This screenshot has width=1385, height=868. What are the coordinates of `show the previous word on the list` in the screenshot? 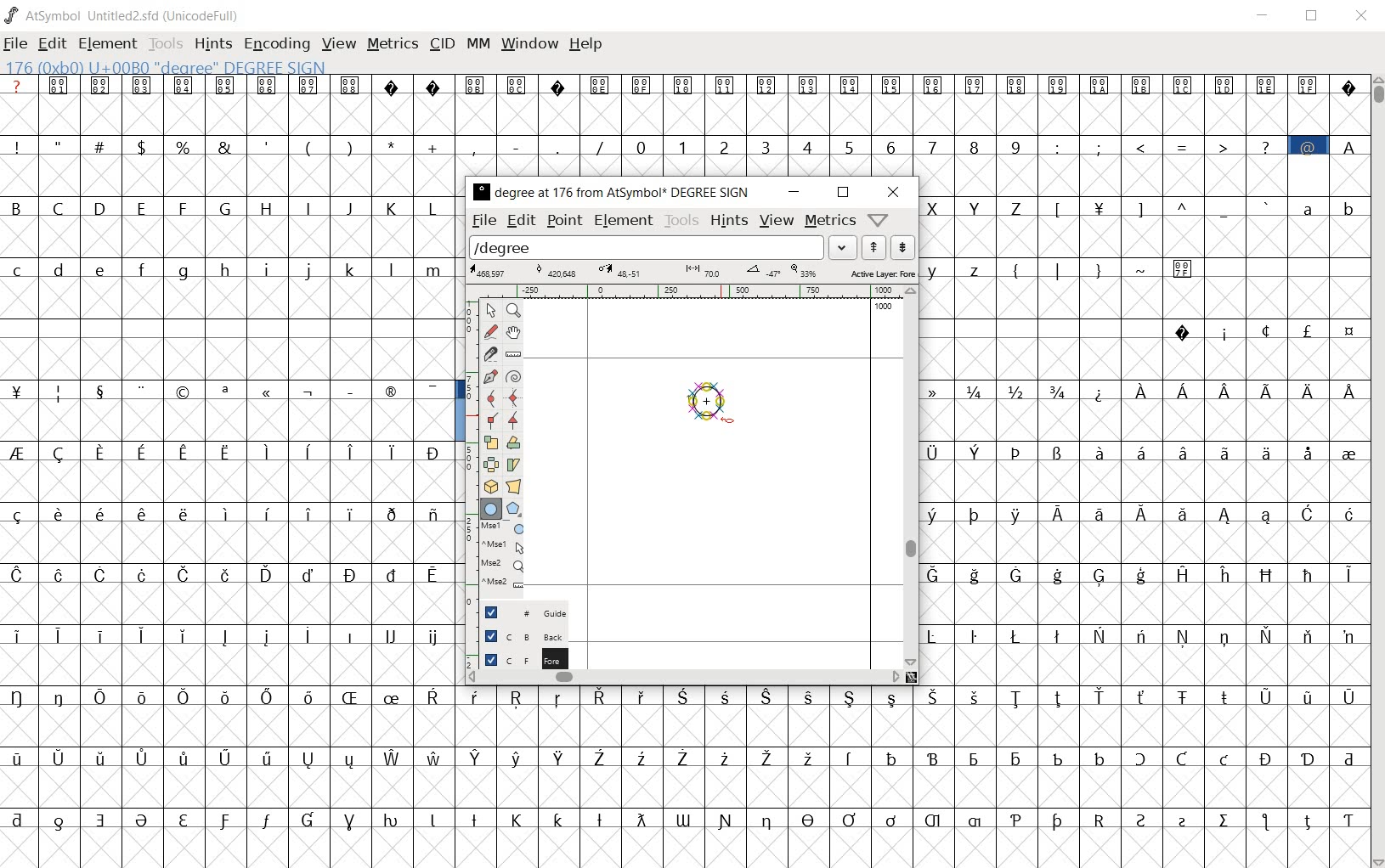 It's located at (902, 247).